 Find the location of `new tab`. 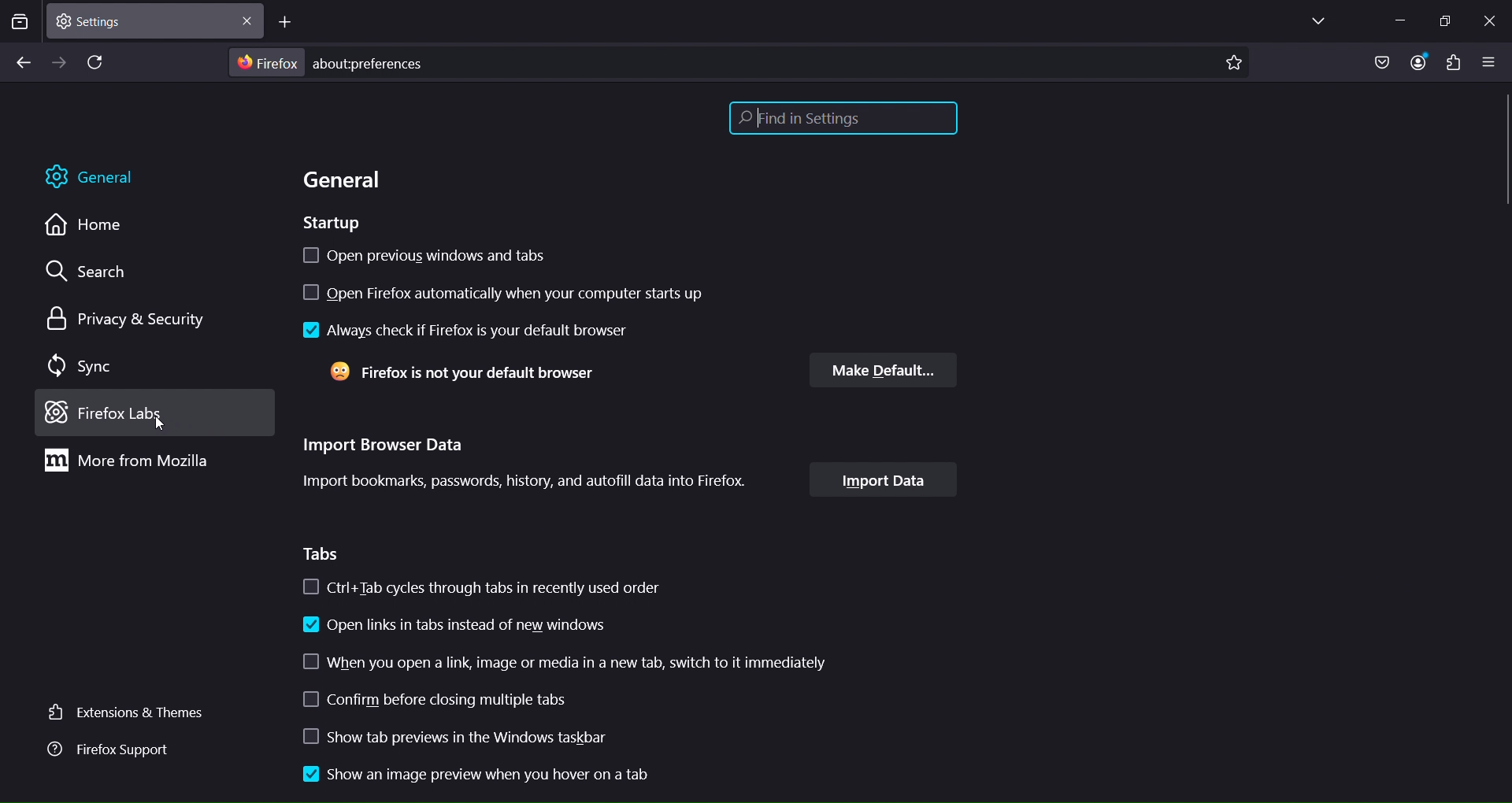

new tab is located at coordinates (287, 24).